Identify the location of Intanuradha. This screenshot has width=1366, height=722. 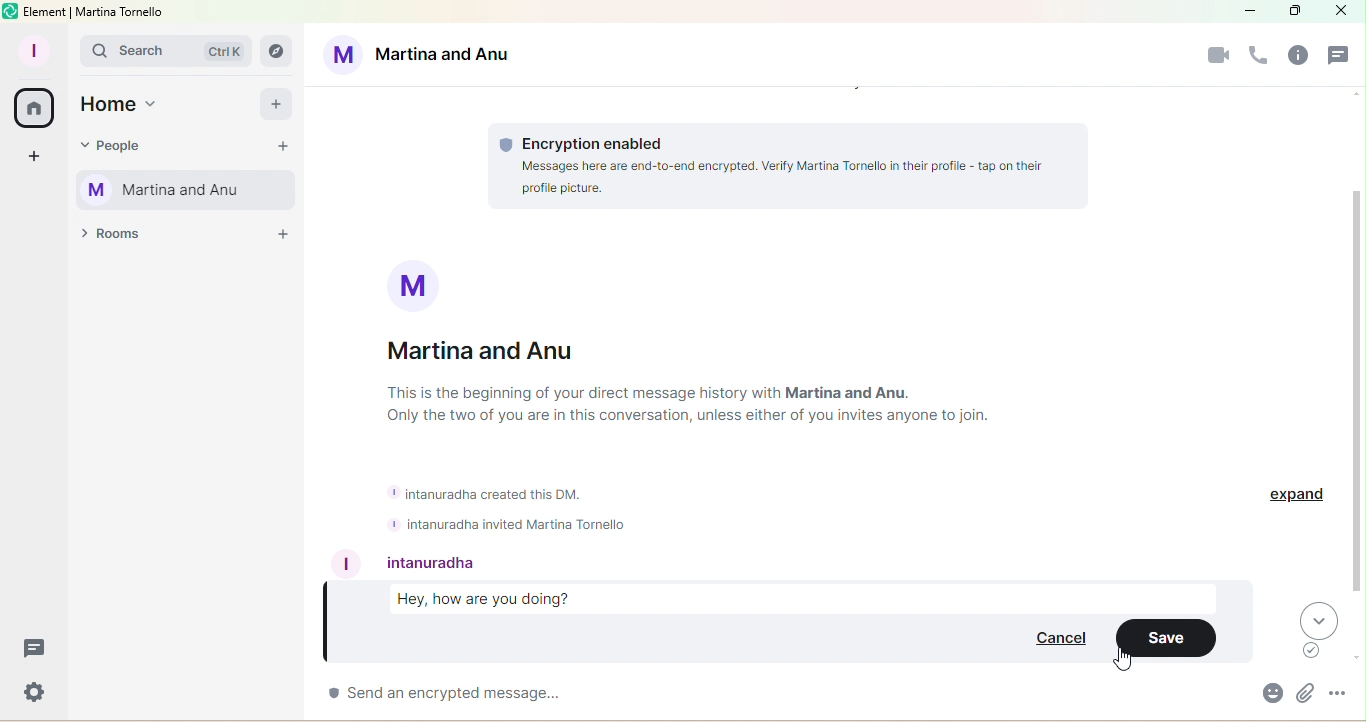
(439, 562).